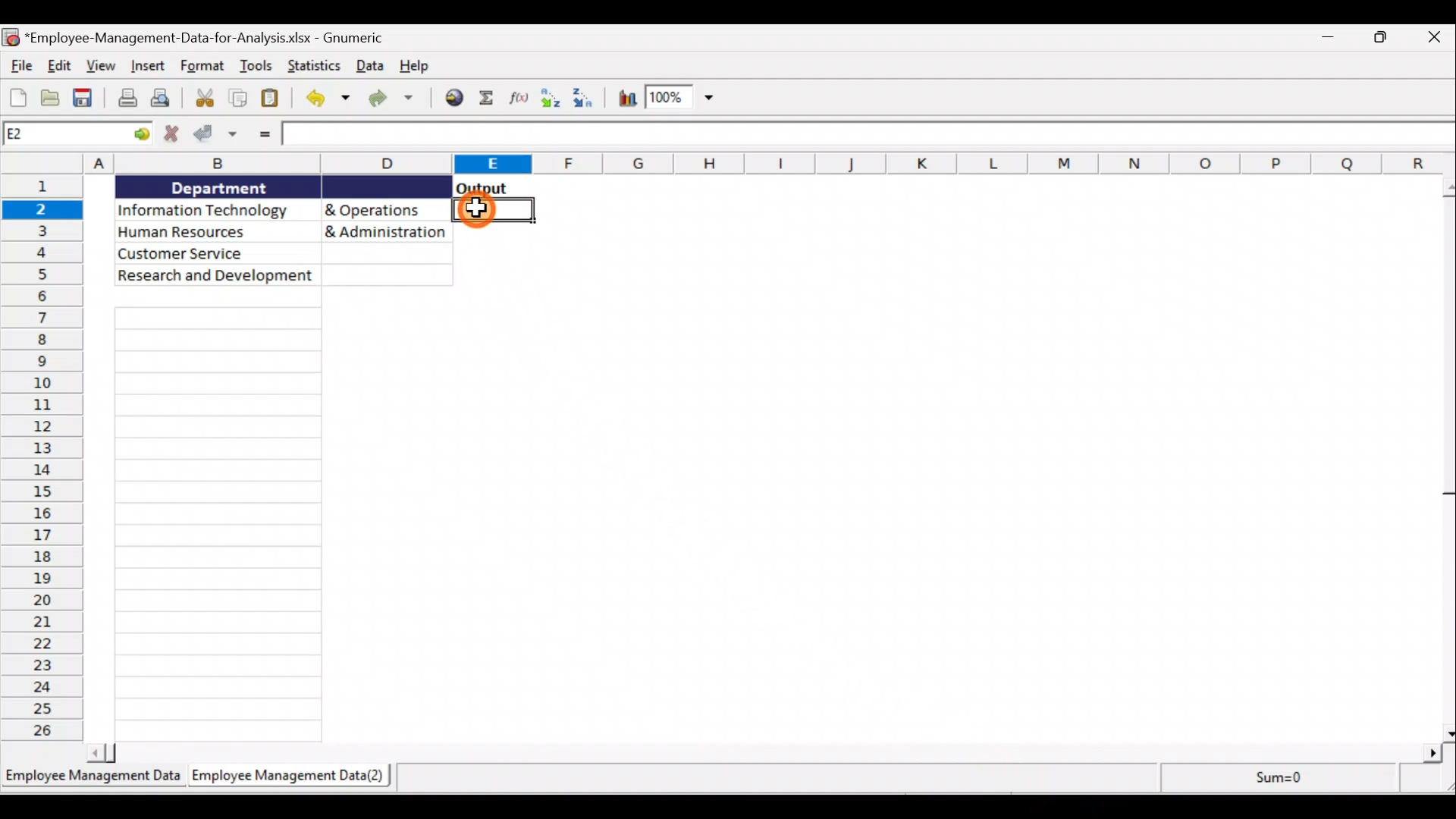  I want to click on Statistics, so click(316, 67).